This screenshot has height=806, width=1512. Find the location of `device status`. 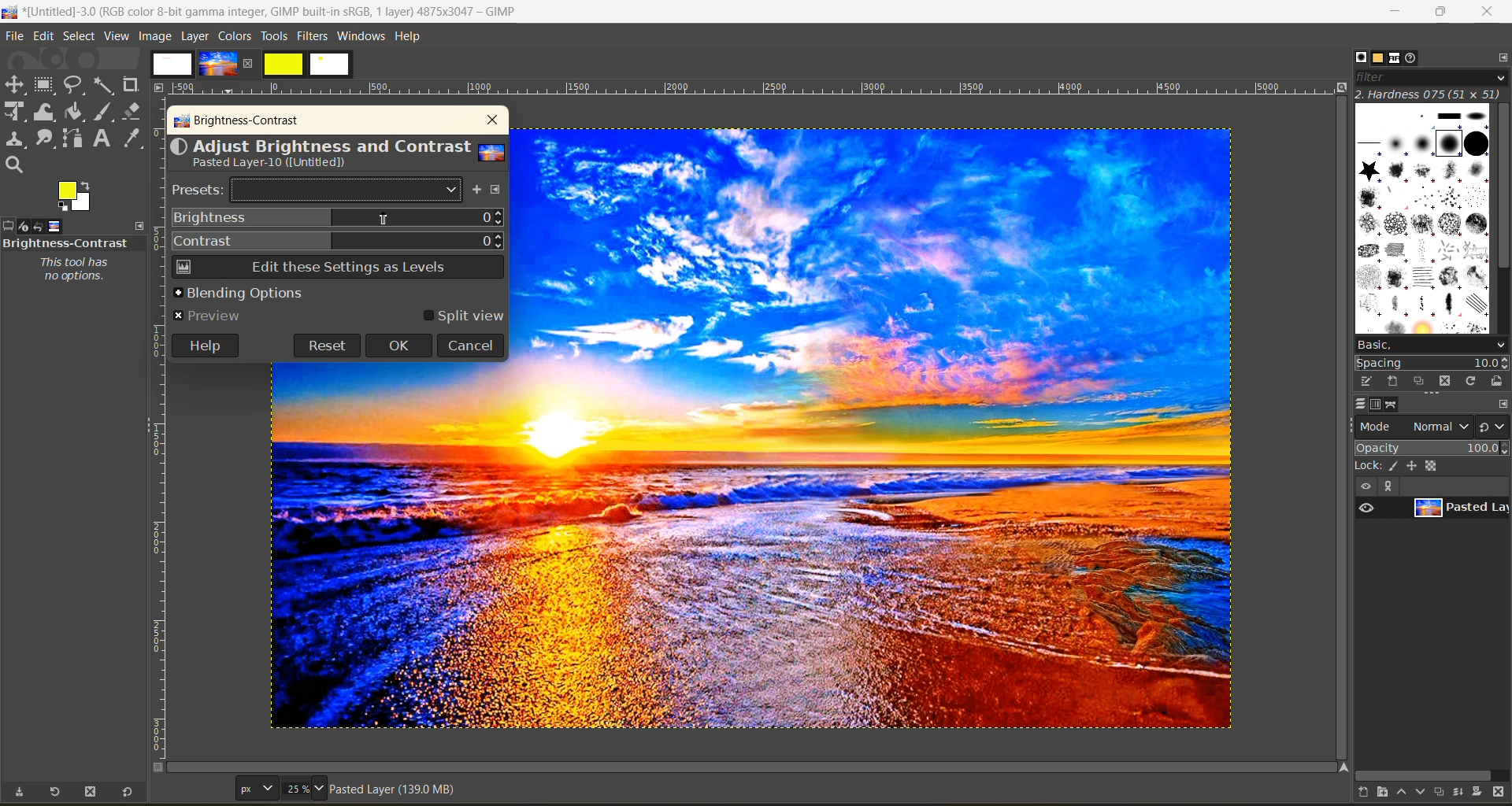

device status is located at coordinates (21, 227).